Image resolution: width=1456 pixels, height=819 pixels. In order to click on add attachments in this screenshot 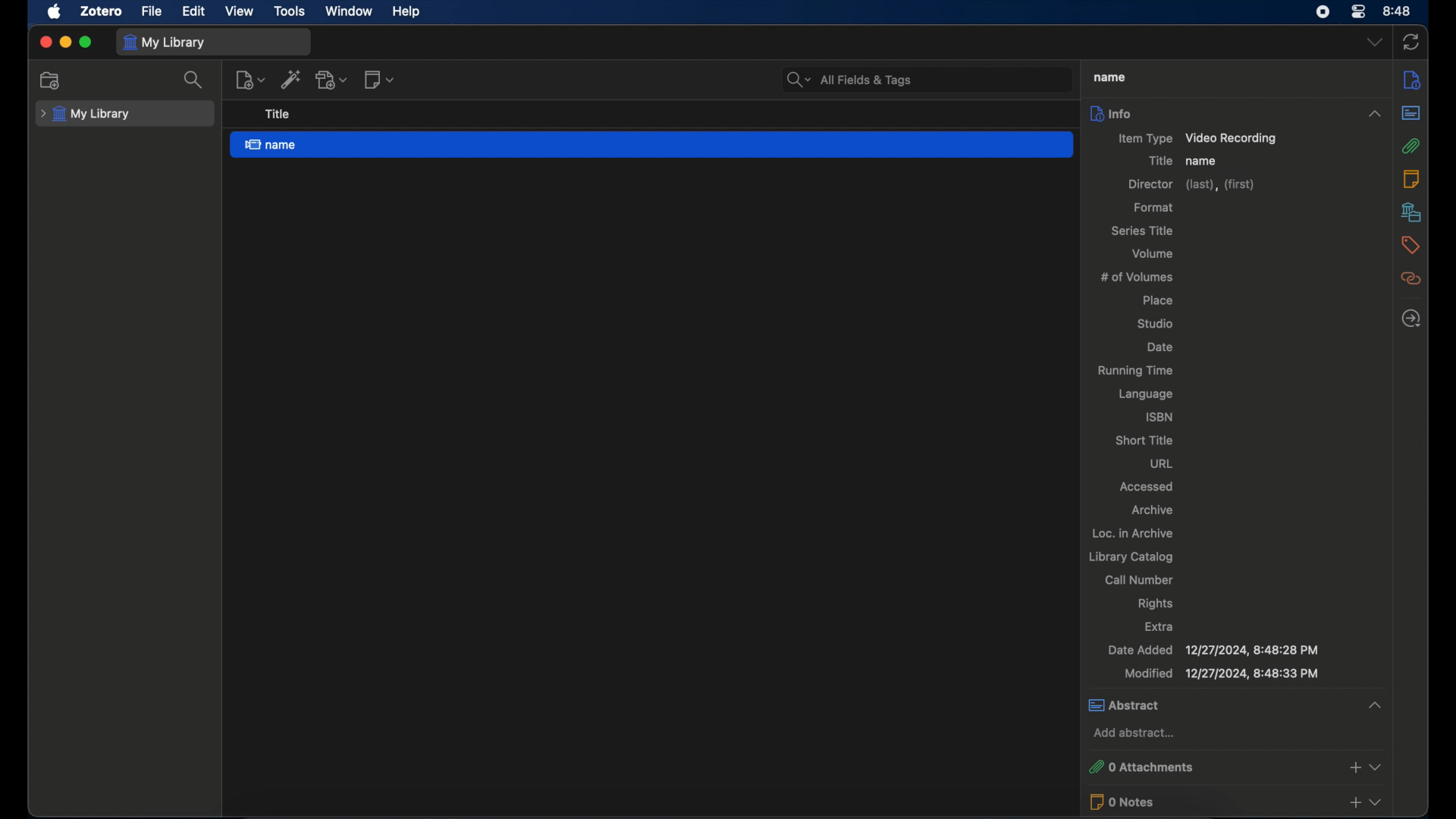, I will do `click(1354, 767)`.